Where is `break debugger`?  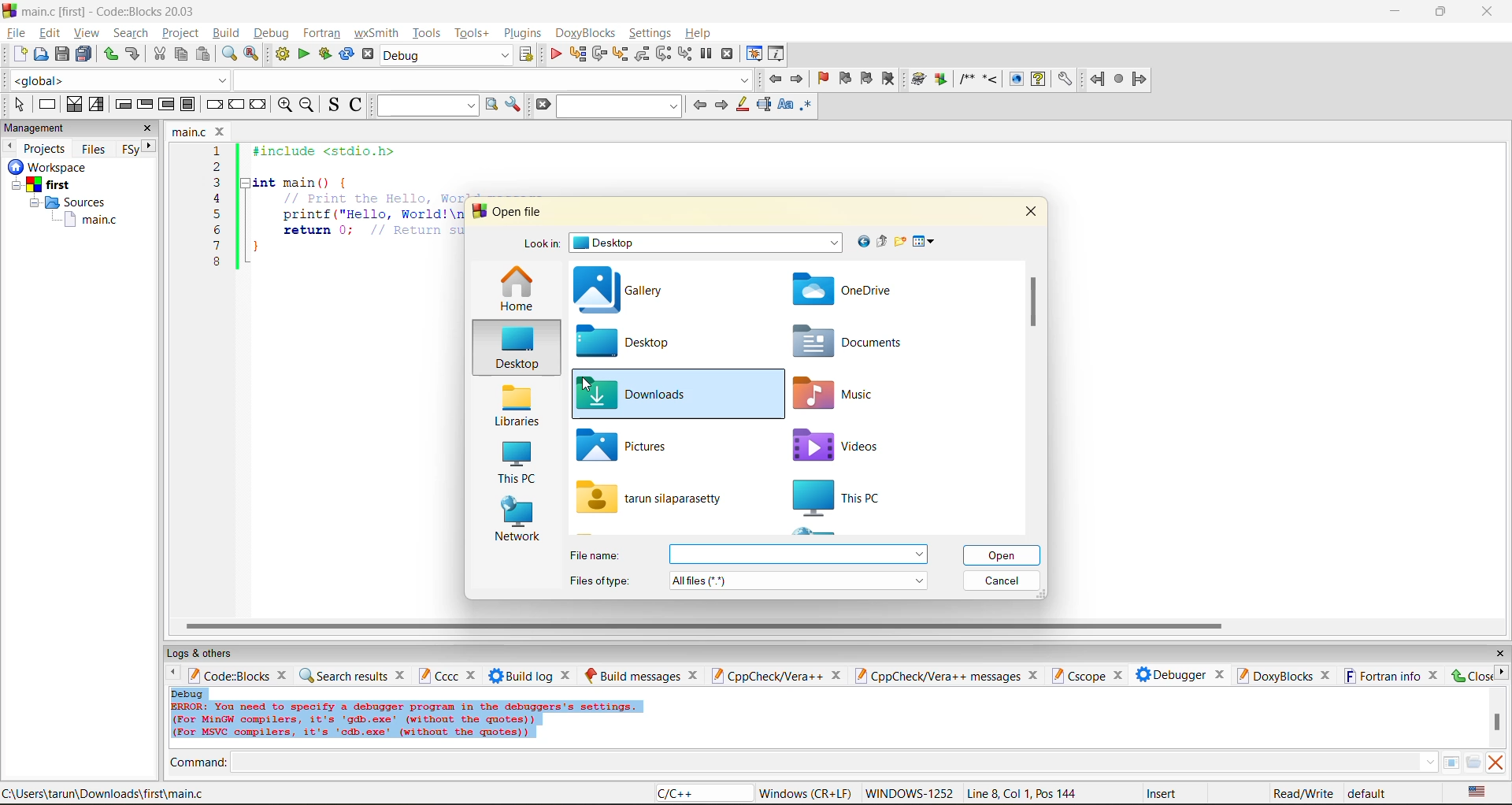 break debugger is located at coordinates (706, 54).